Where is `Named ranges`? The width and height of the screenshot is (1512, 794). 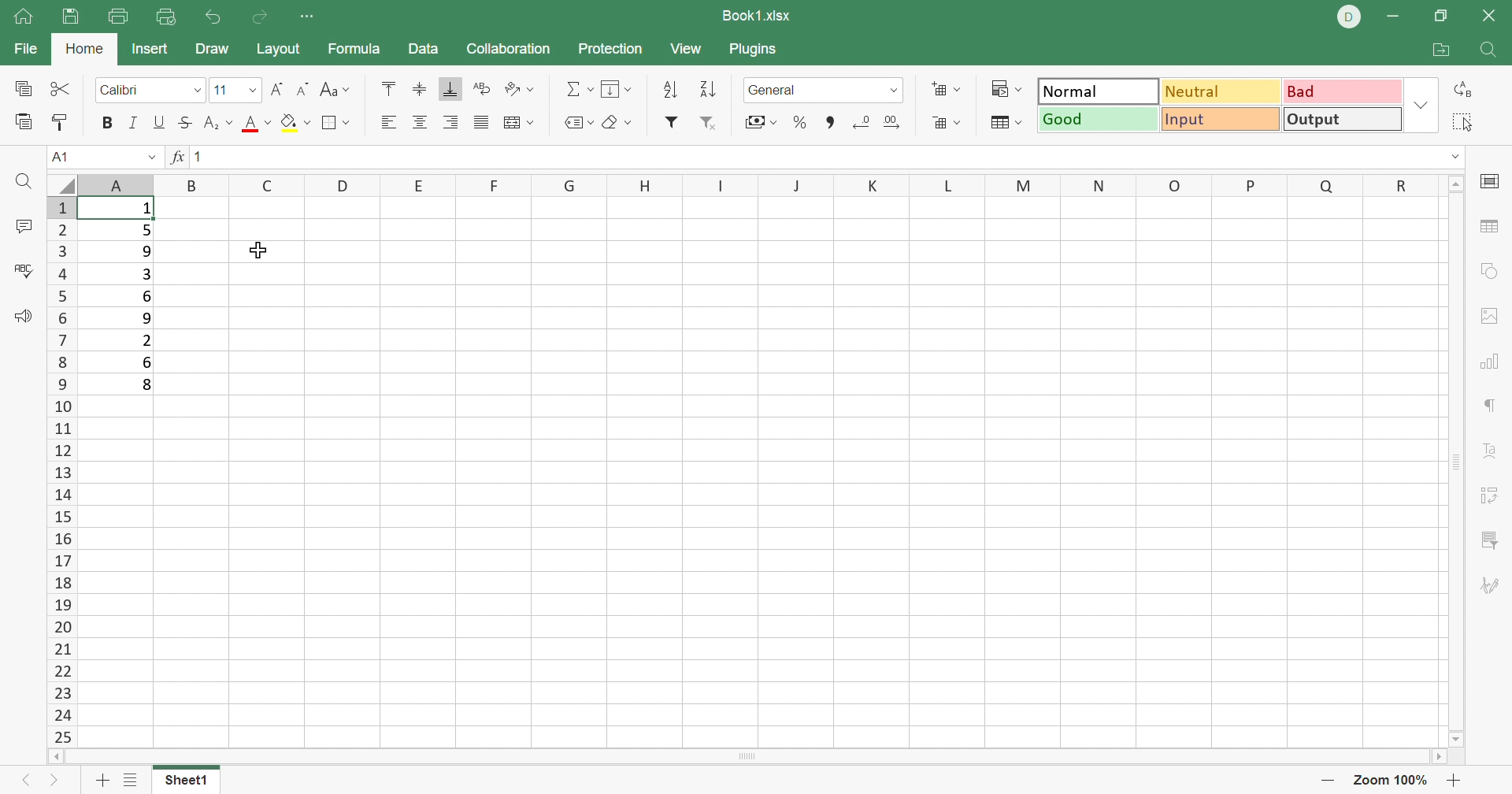
Named ranges is located at coordinates (577, 124).